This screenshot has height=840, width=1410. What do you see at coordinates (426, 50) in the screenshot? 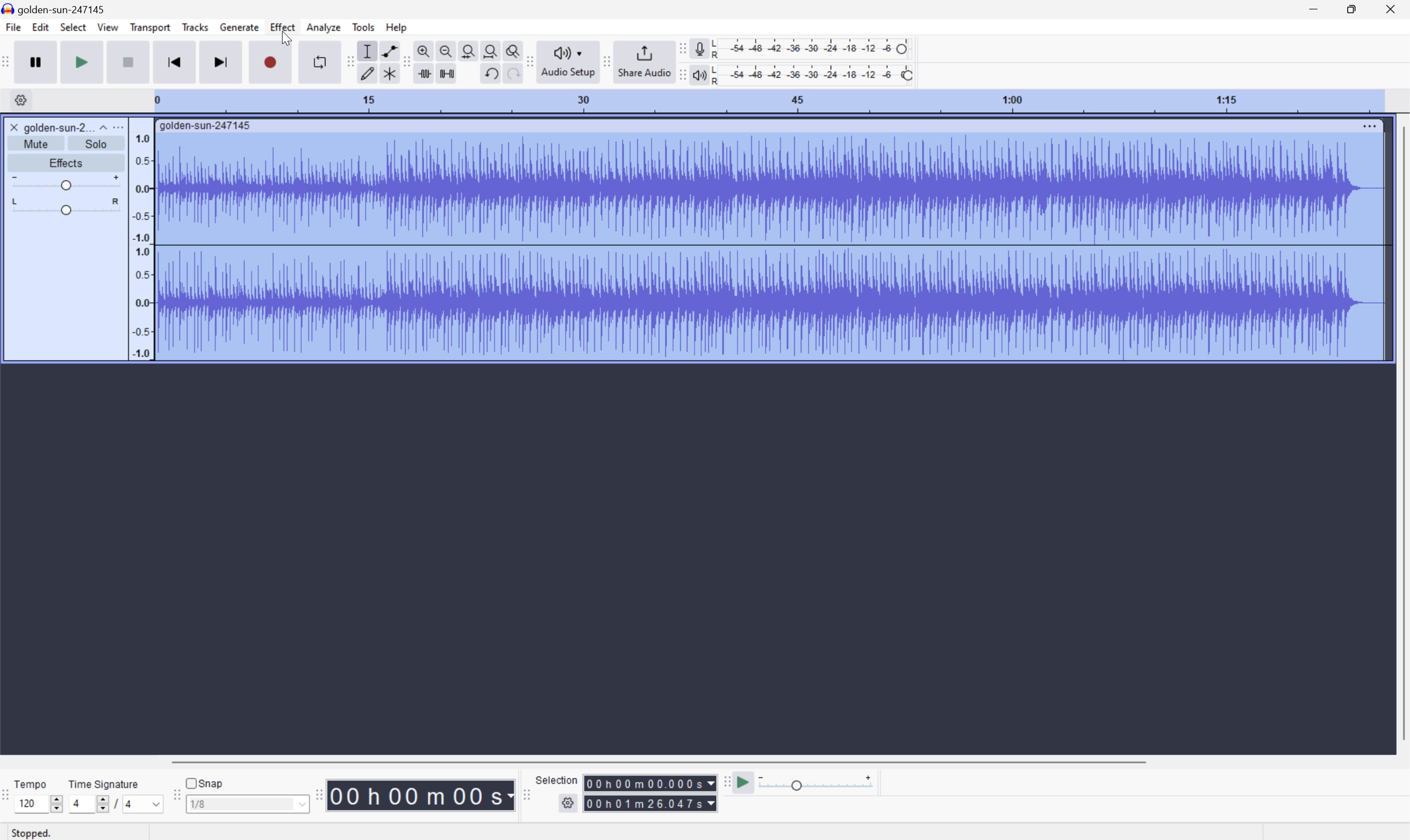
I see `Zoom in` at bounding box center [426, 50].